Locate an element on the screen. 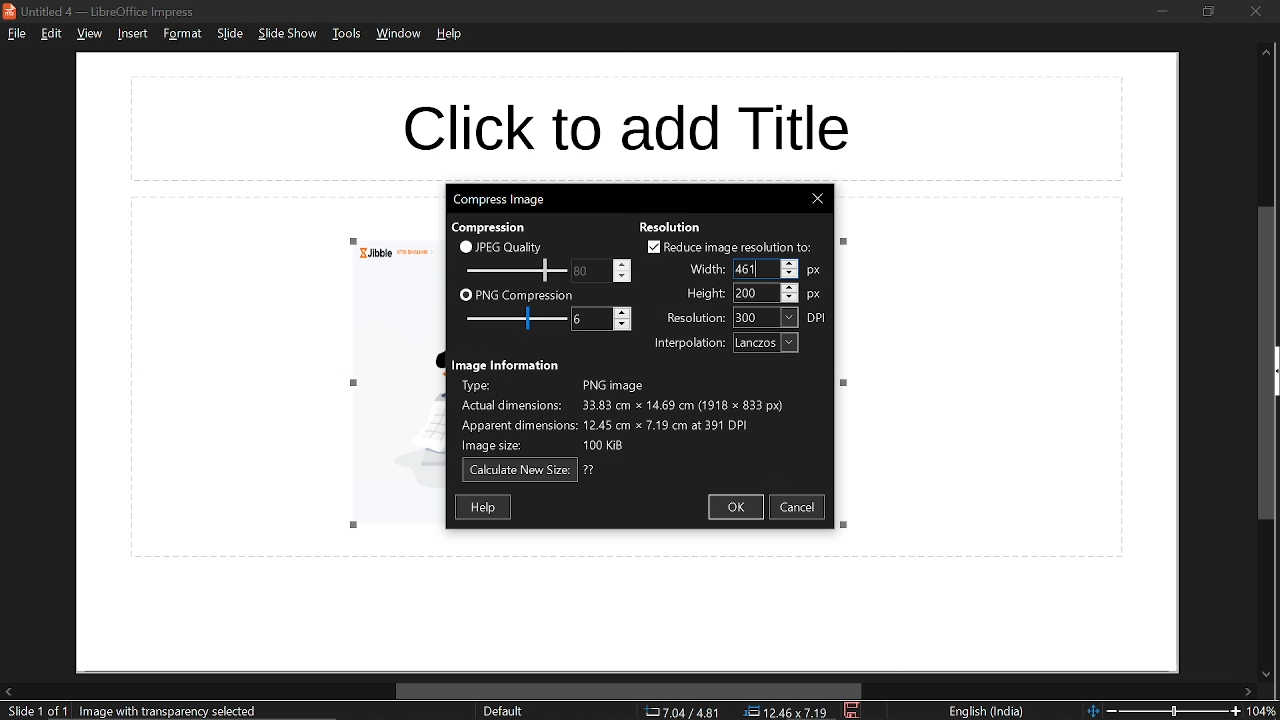  current zoom is located at coordinates (1265, 711).